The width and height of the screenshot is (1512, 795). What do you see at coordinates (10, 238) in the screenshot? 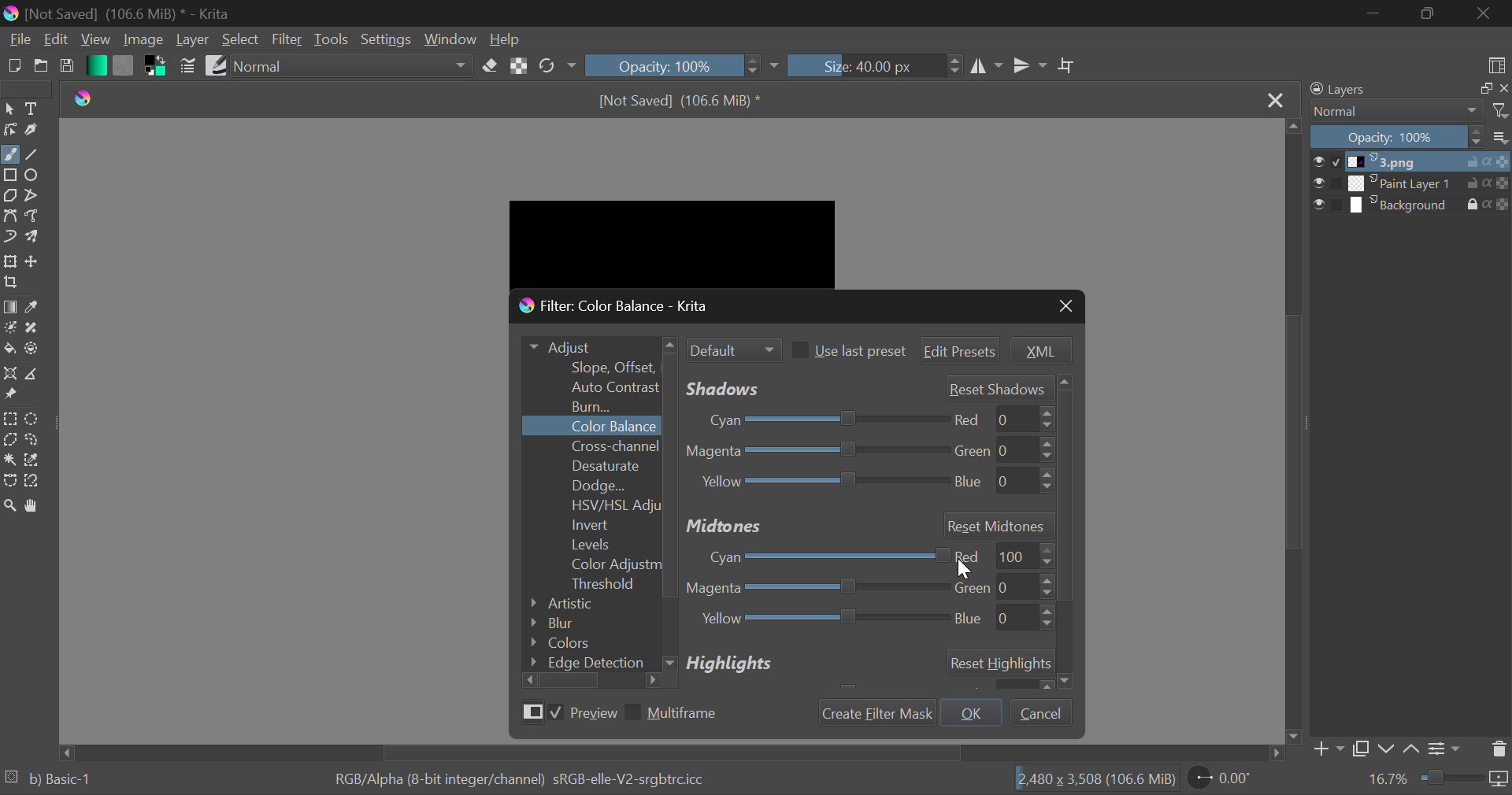
I see `Dynamic Brush` at bounding box center [10, 238].